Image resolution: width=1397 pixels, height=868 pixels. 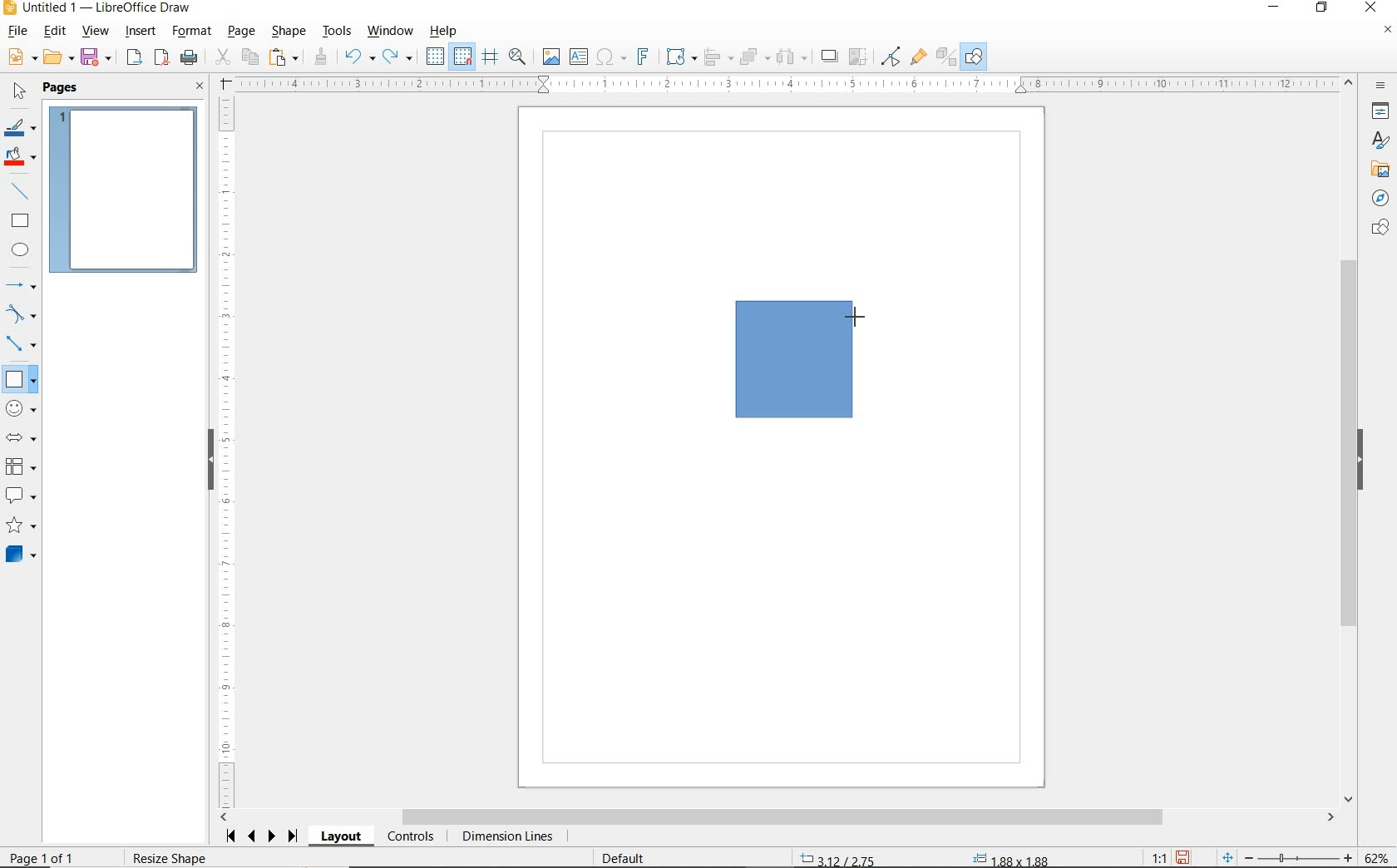 I want to click on TRANSFORMATIONS, so click(x=679, y=57).